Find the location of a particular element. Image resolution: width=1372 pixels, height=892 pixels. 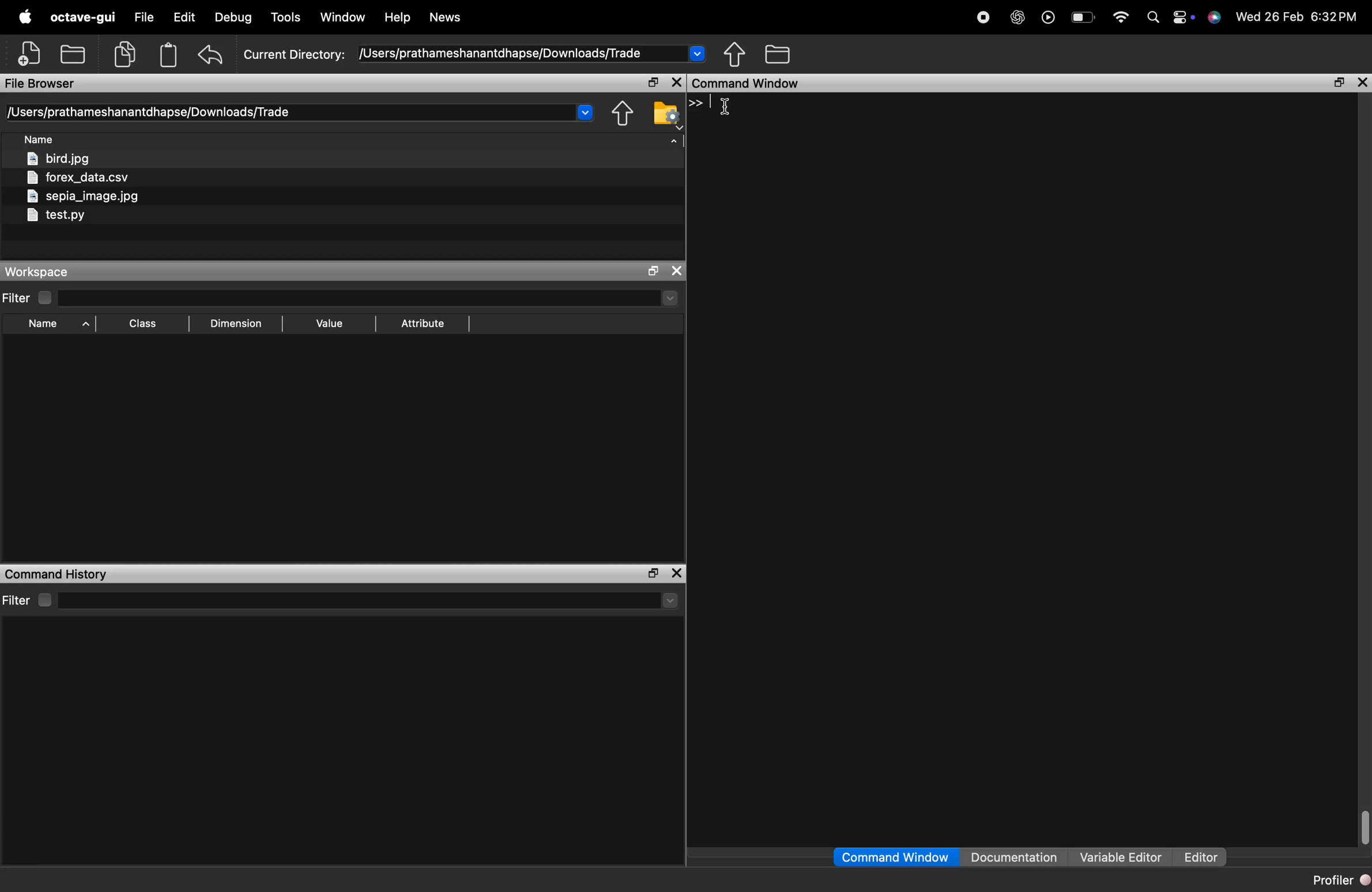

cursor is located at coordinates (729, 107).